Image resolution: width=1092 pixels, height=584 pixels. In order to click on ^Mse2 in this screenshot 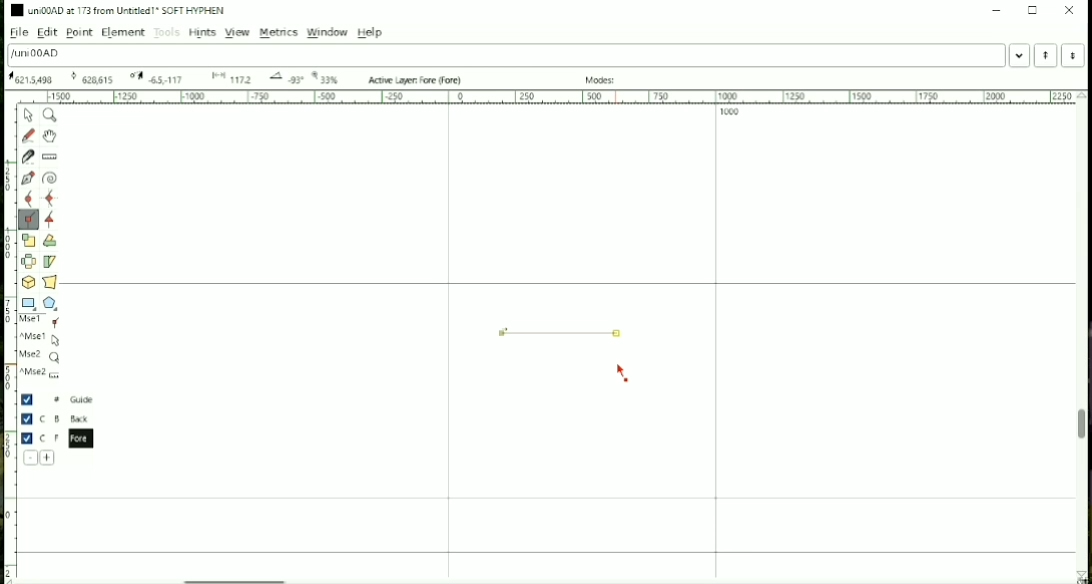, I will do `click(42, 374)`.